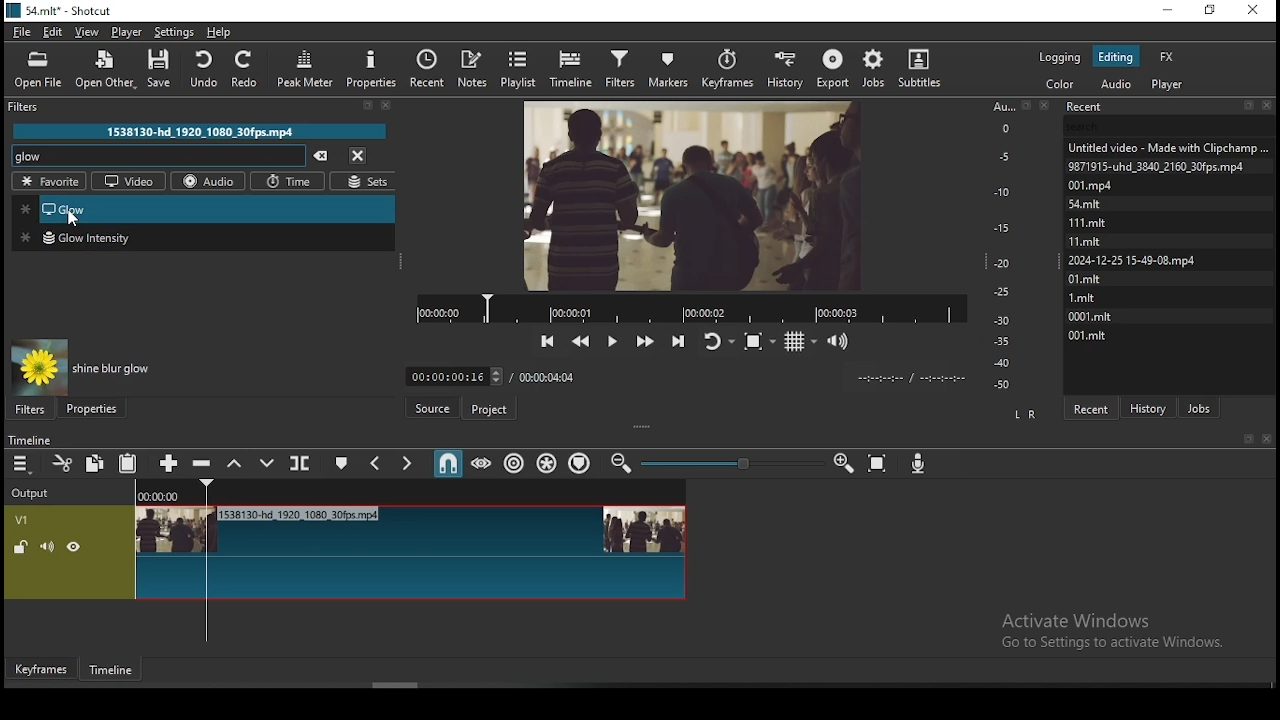 This screenshot has width=1280, height=720. Describe the element at coordinates (1092, 315) in the screenshot. I see `0001.mlt` at that location.